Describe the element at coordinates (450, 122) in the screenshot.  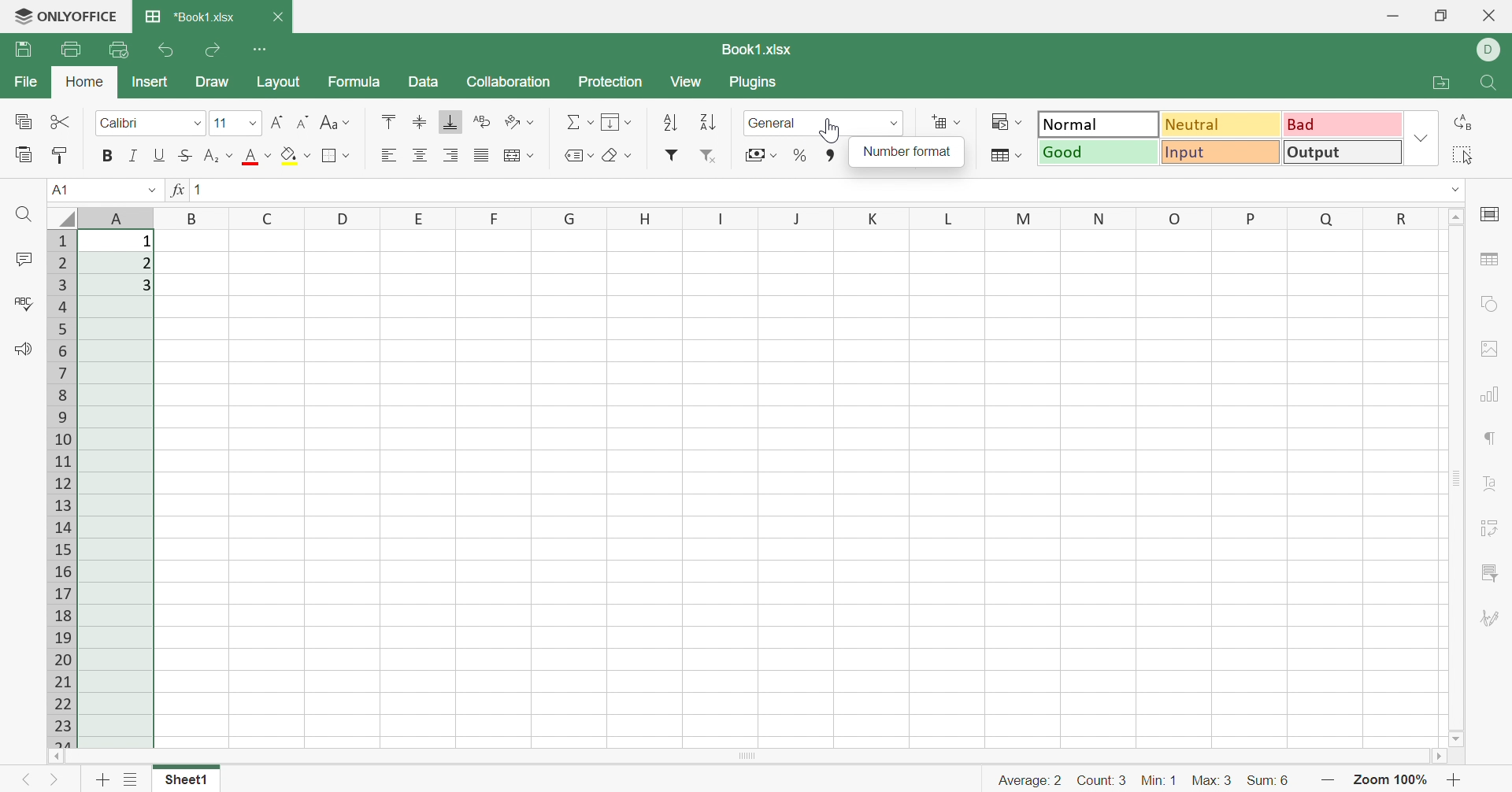
I see `Align bottom` at that location.